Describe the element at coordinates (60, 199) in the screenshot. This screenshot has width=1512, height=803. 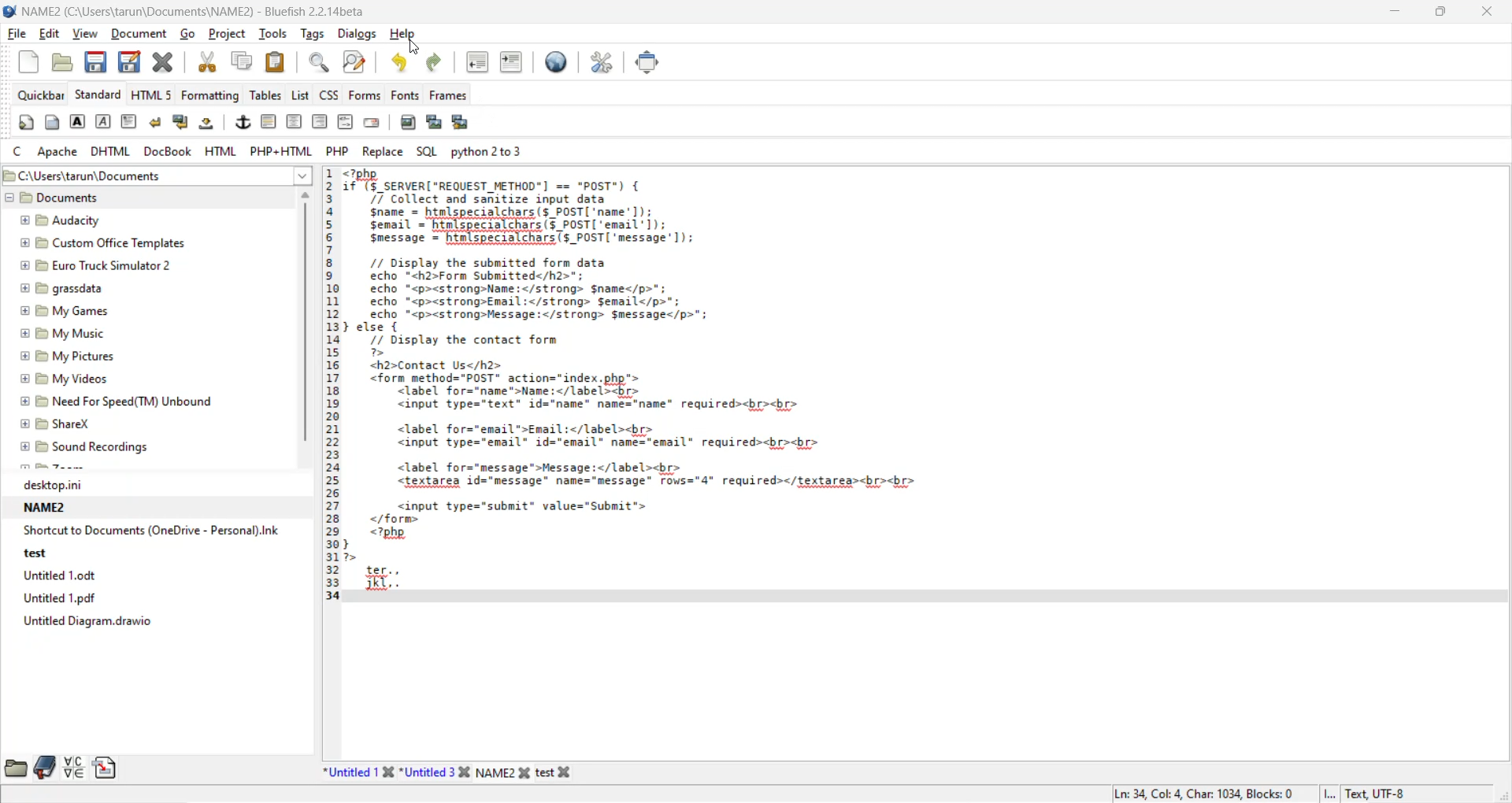
I see `Documents` at that location.